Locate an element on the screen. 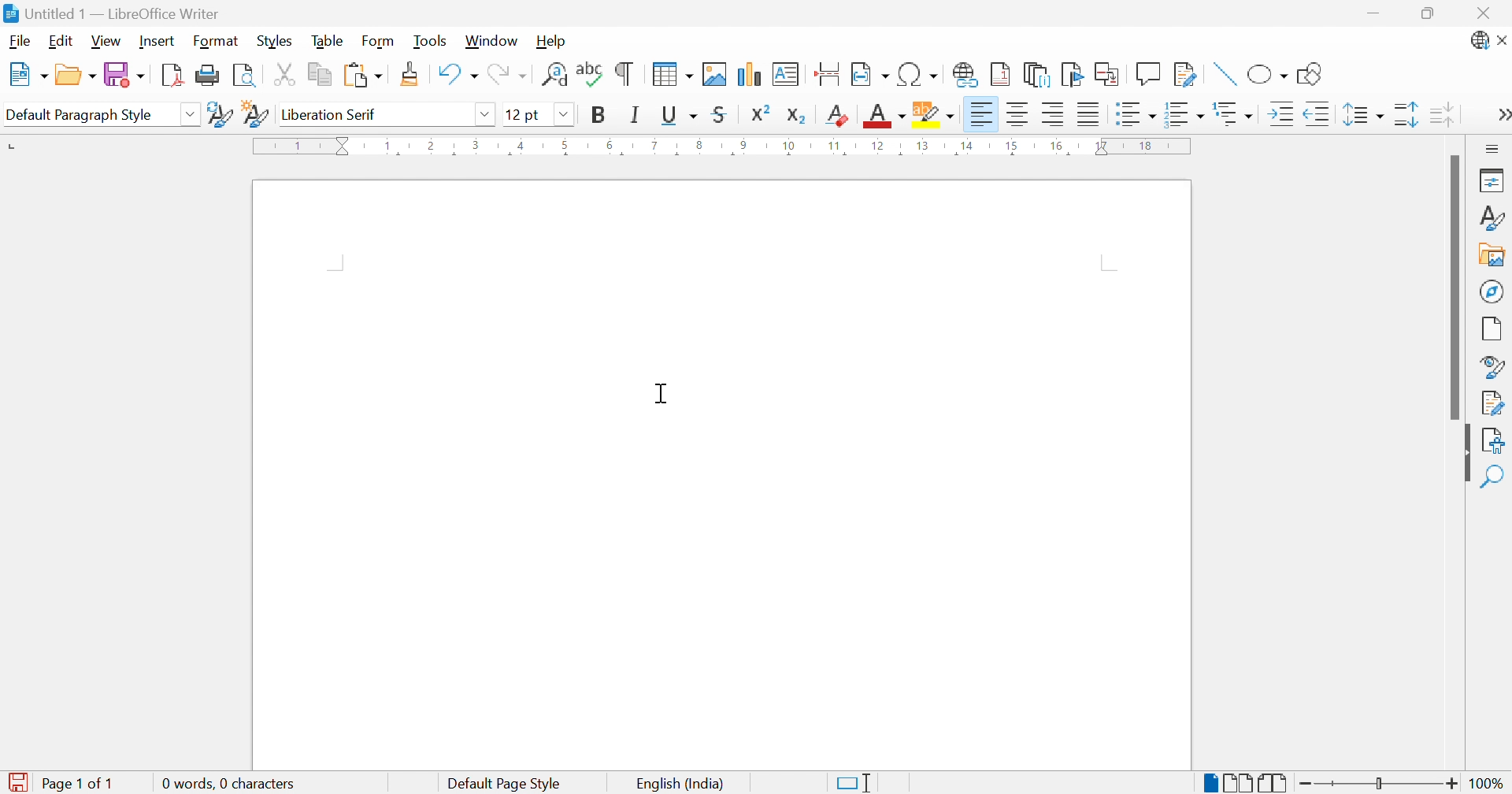  Window is located at coordinates (492, 42).